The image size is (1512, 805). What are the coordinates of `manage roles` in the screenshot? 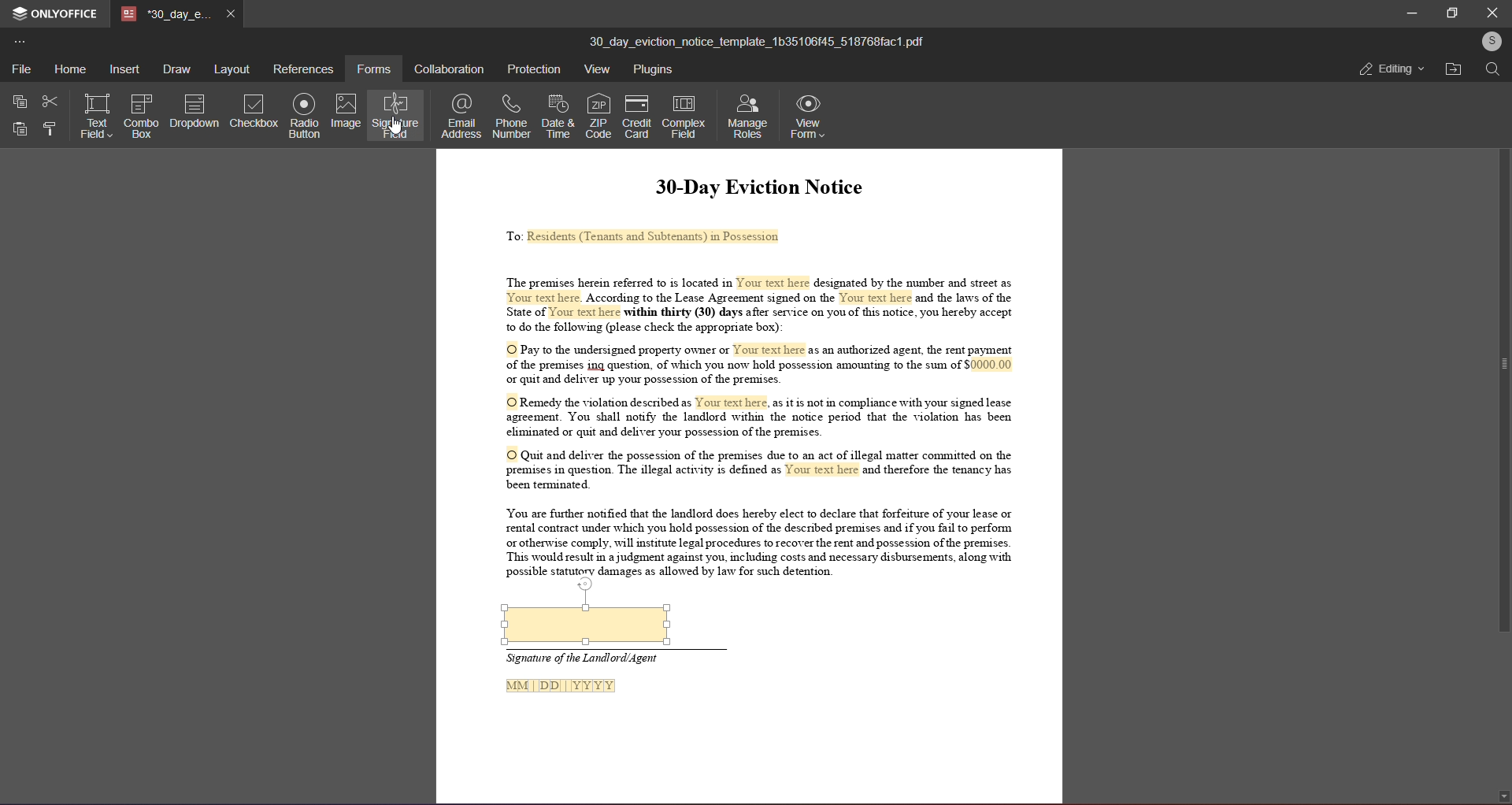 It's located at (747, 115).